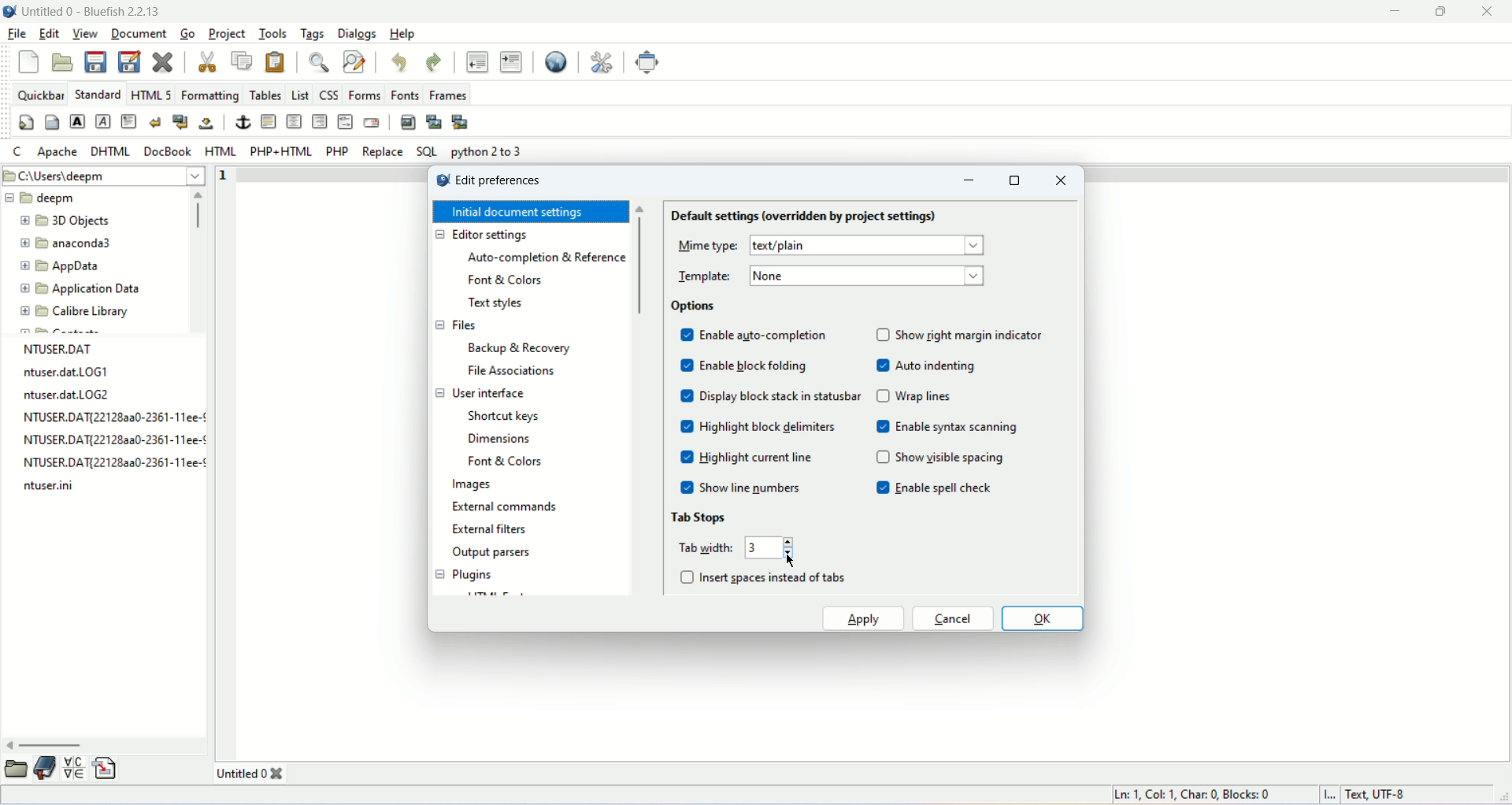 This screenshot has width=1512, height=805. What do you see at coordinates (382, 151) in the screenshot?
I see `REPLACE` at bounding box center [382, 151].